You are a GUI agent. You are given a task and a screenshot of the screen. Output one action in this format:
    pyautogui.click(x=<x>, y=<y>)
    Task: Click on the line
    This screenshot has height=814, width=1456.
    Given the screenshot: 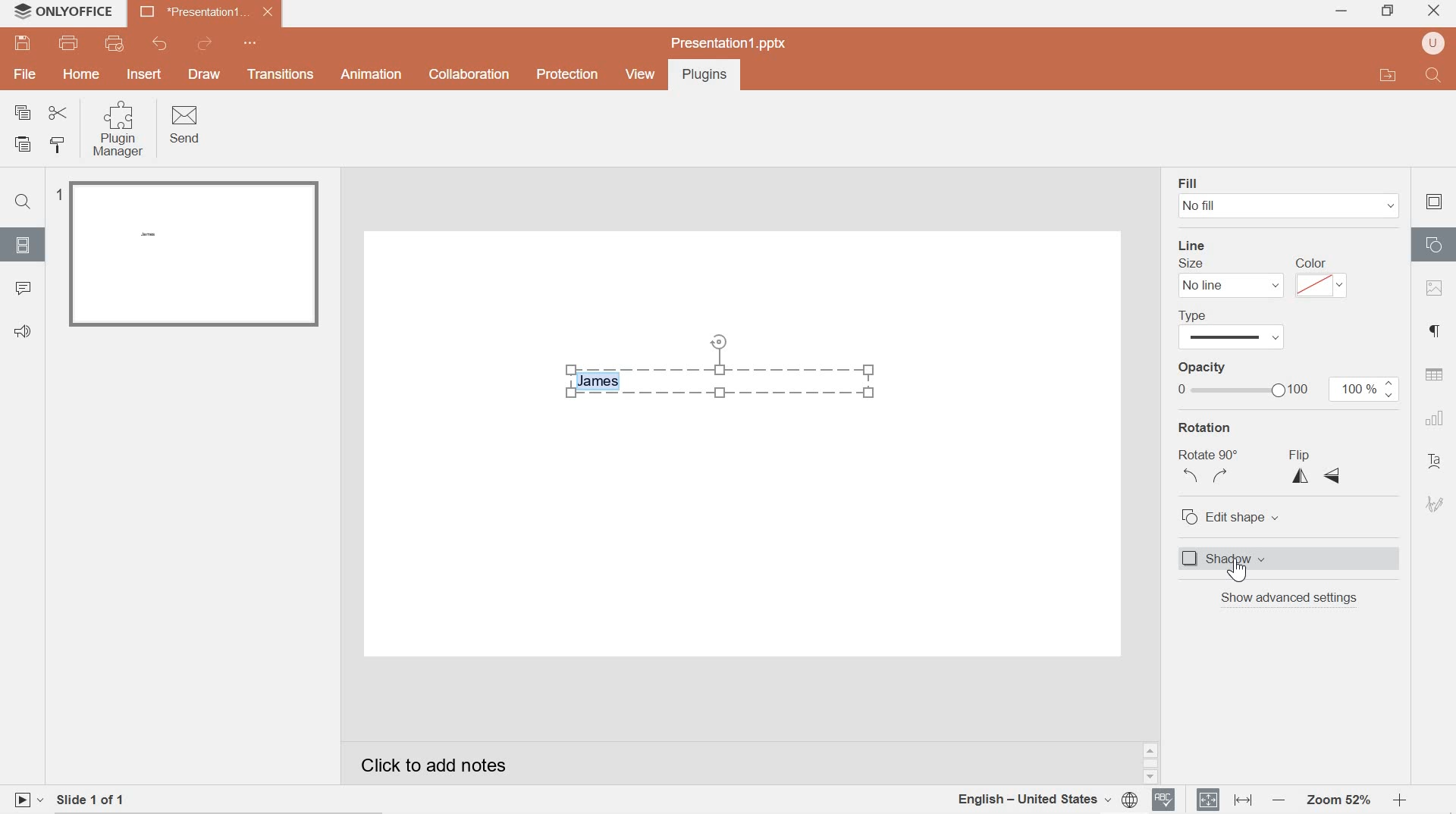 What is the action you would take?
    pyautogui.click(x=1194, y=246)
    